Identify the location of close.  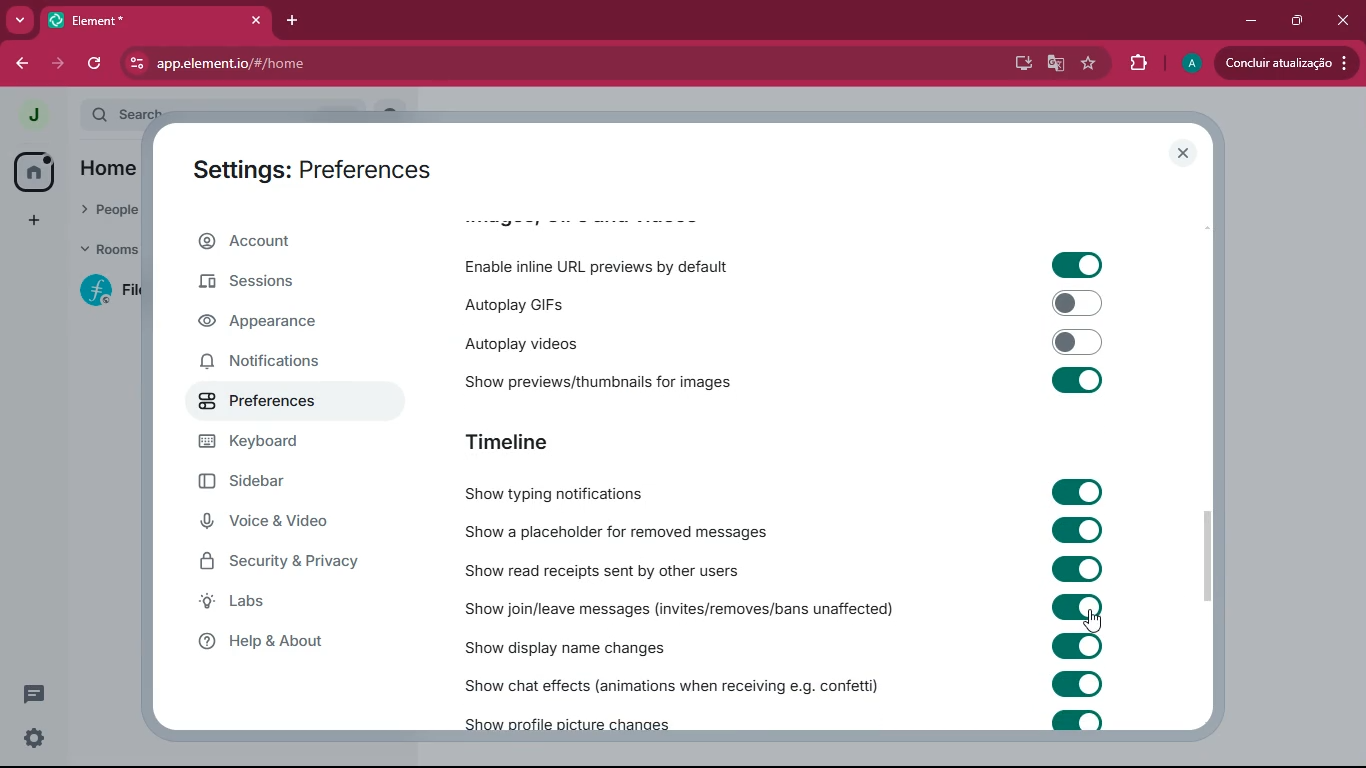
(1184, 153).